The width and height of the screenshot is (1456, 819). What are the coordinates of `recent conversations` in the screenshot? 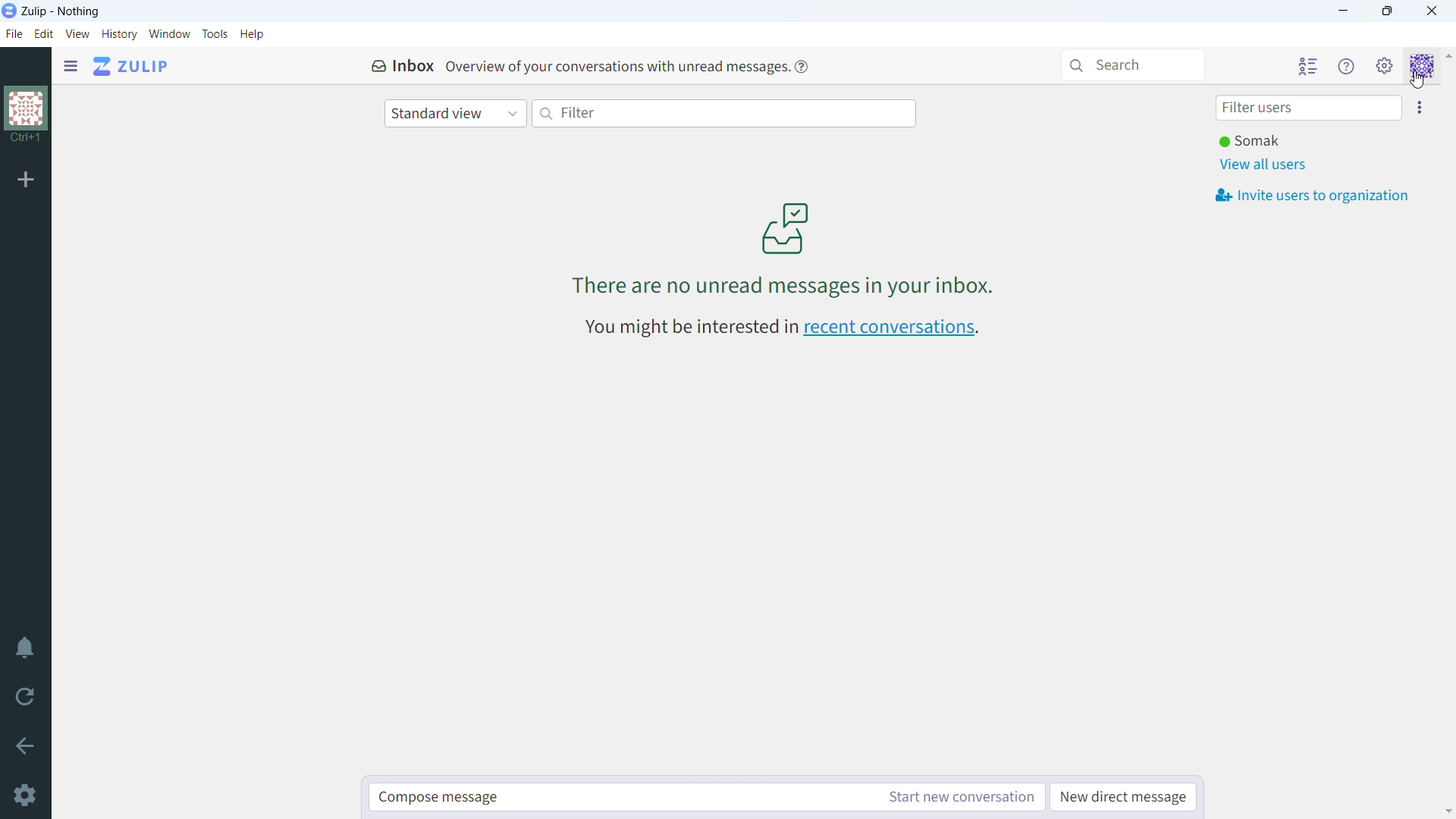 It's located at (892, 329).